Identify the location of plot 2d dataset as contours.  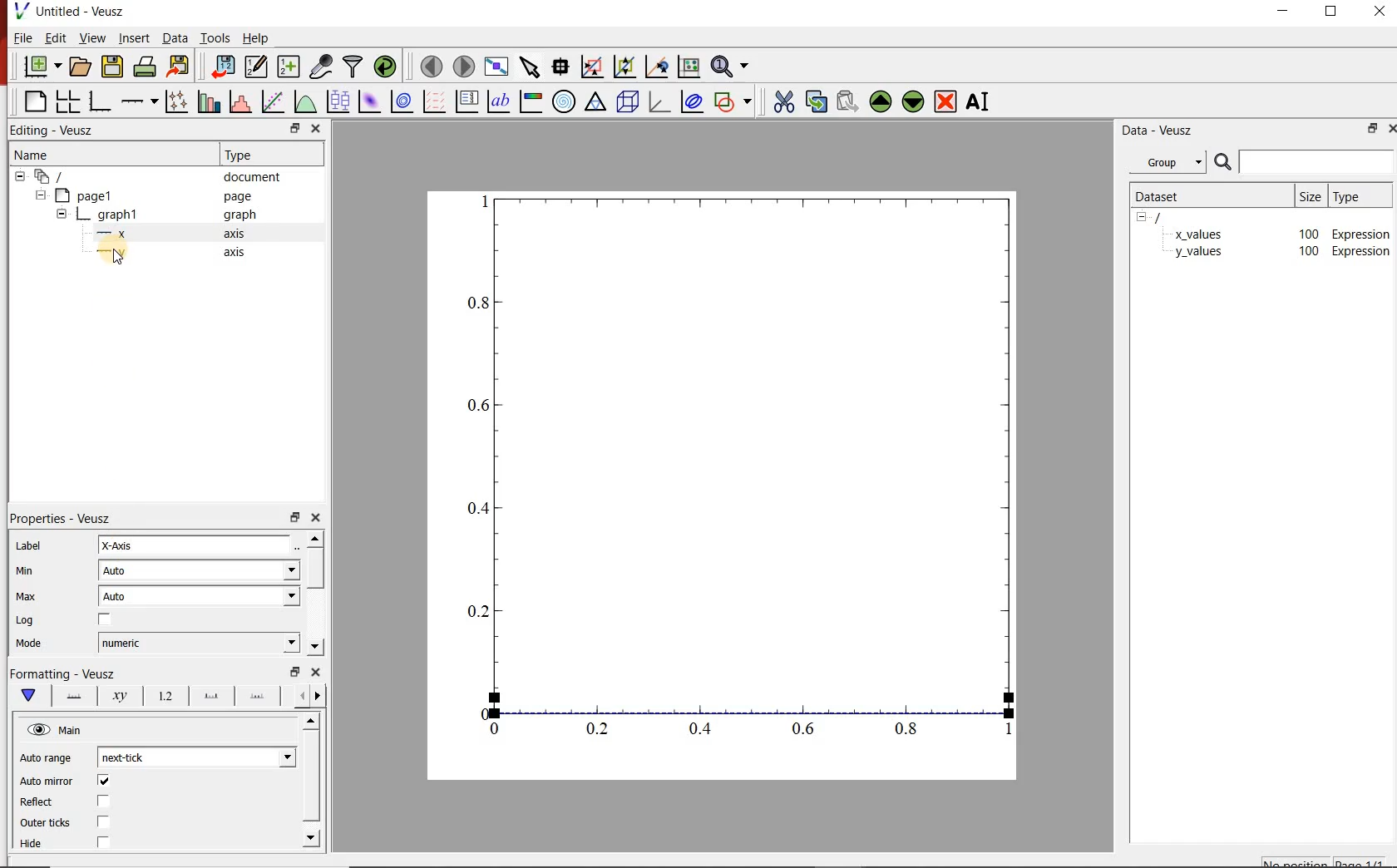
(403, 101).